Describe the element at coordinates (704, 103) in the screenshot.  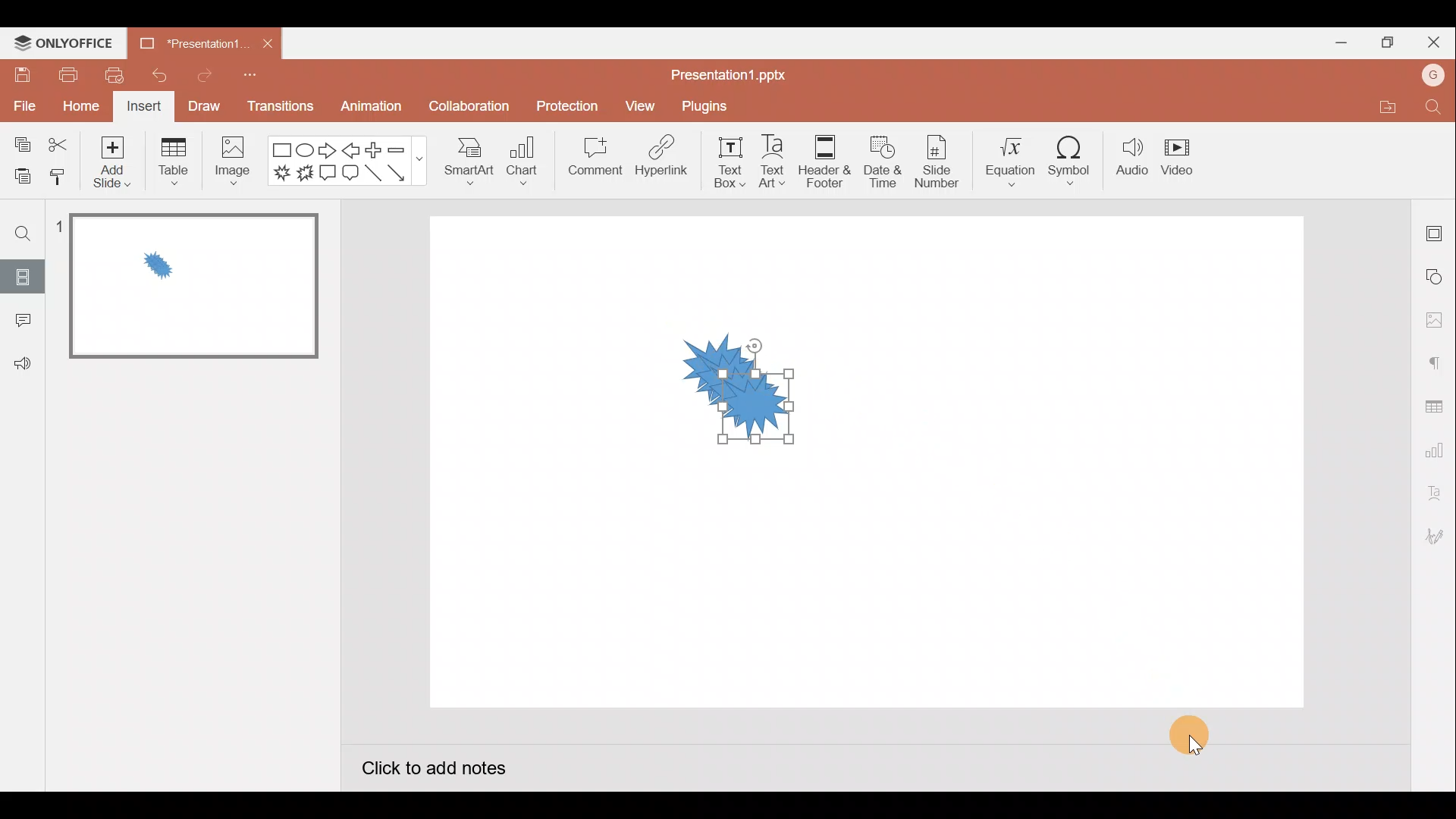
I see `Plugins` at that location.